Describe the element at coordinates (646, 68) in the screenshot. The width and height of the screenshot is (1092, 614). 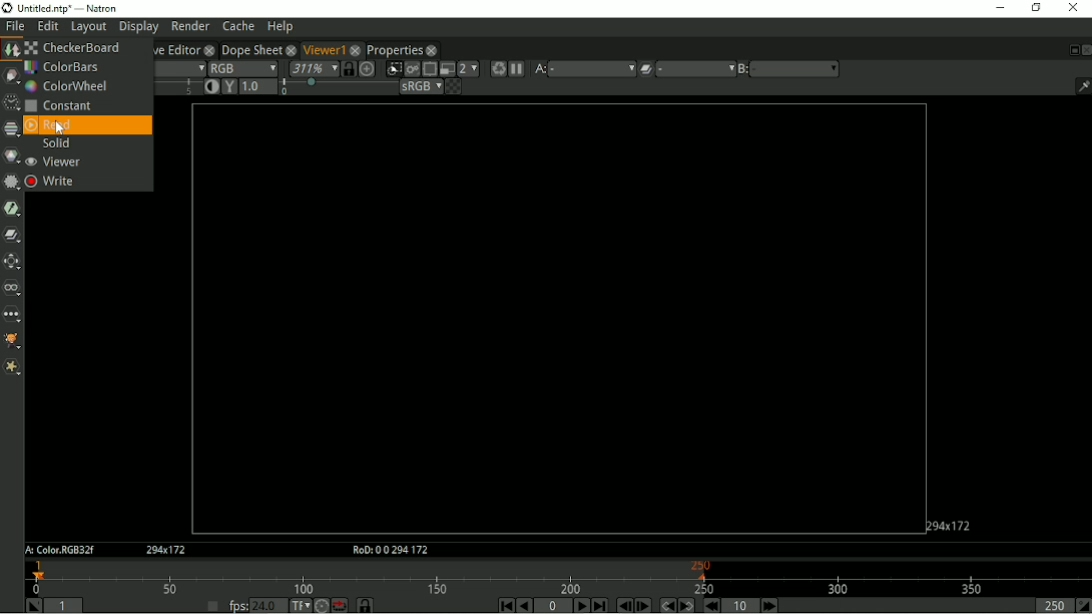
I see `Operation applied between A and B` at that location.